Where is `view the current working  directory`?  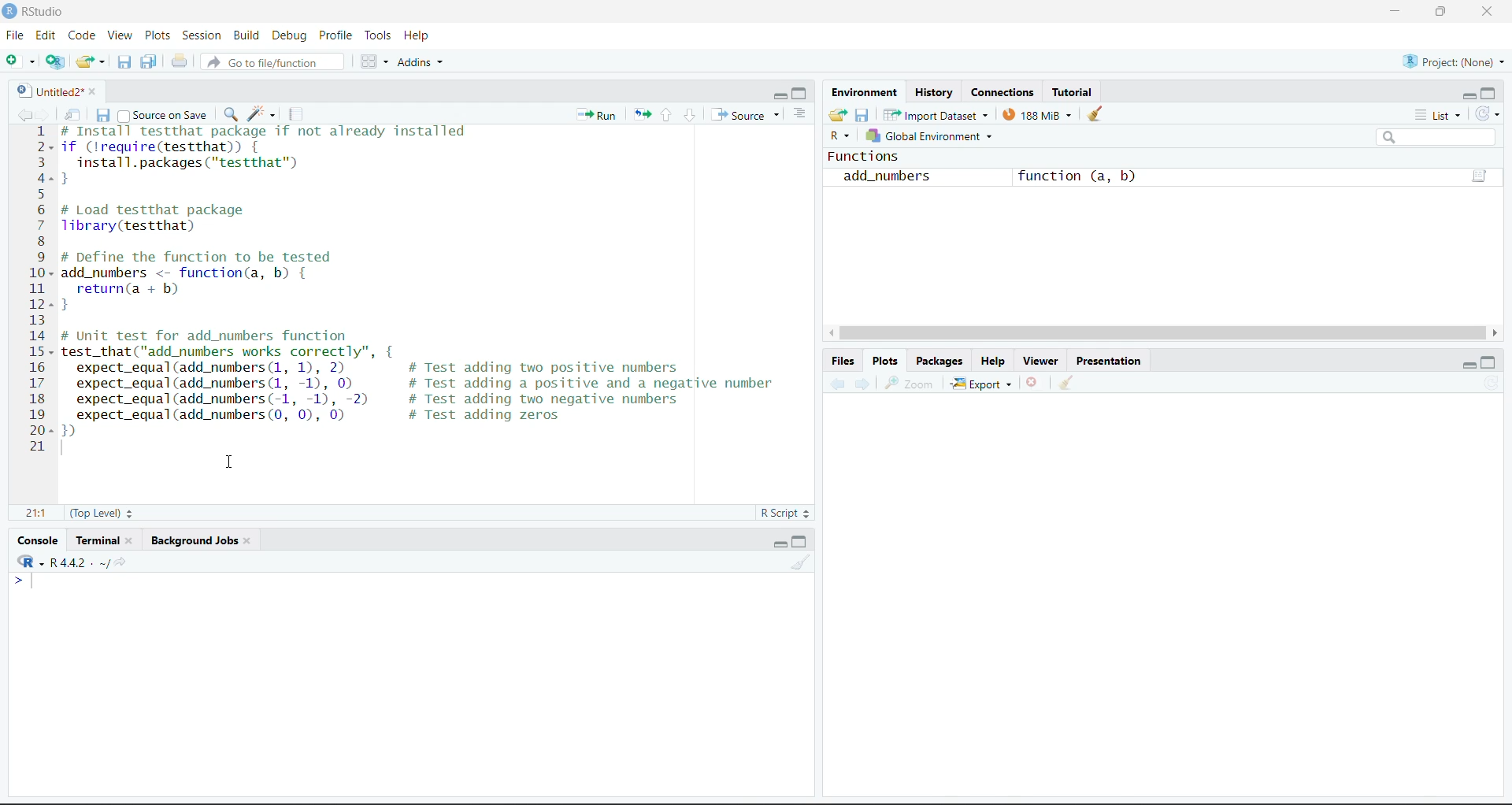
view the current working  directory is located at coordinates (113, 562).